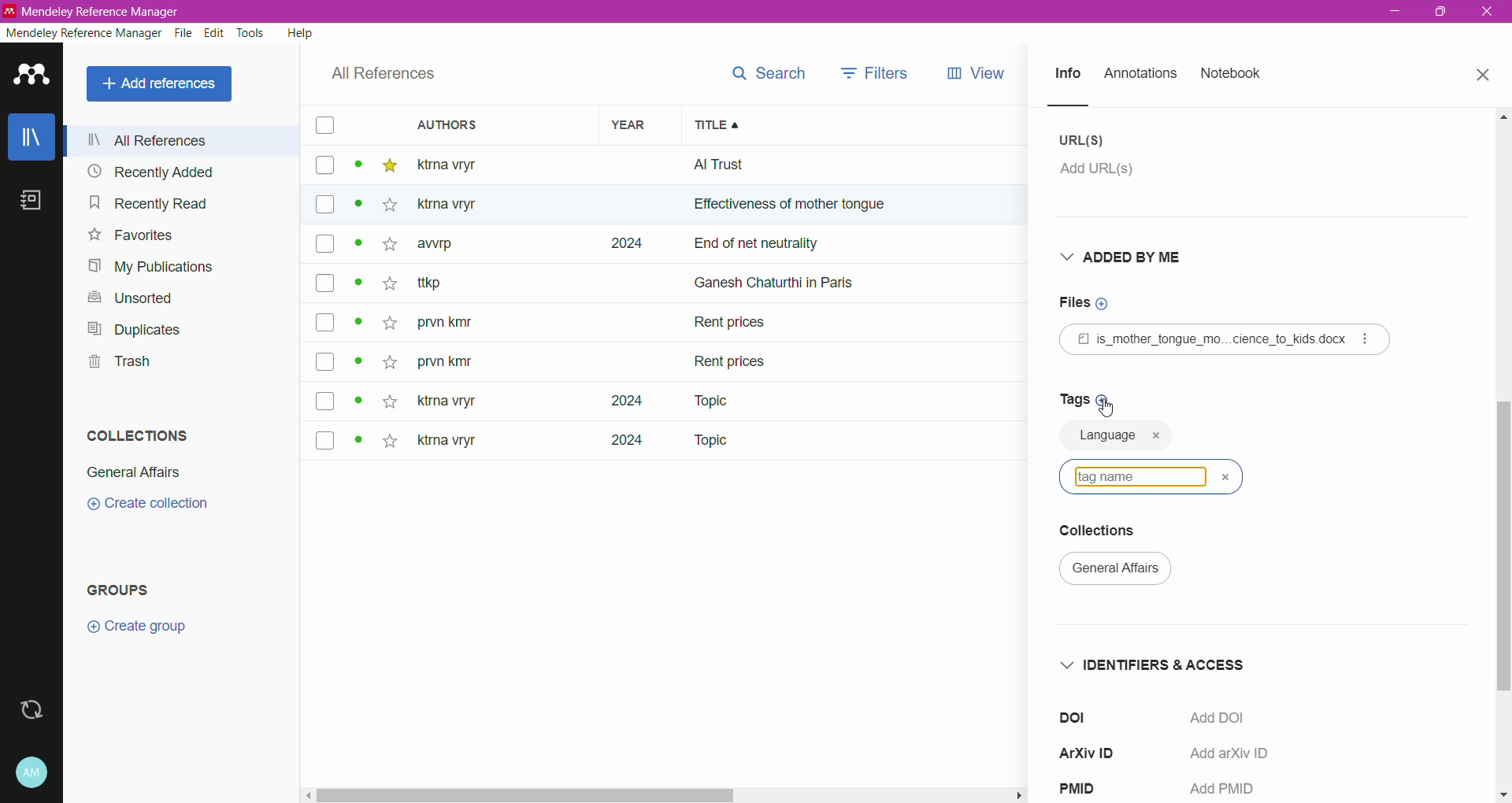  Describe the element at coordinates (185, 33) in the screenshot. I see `File` at that location.